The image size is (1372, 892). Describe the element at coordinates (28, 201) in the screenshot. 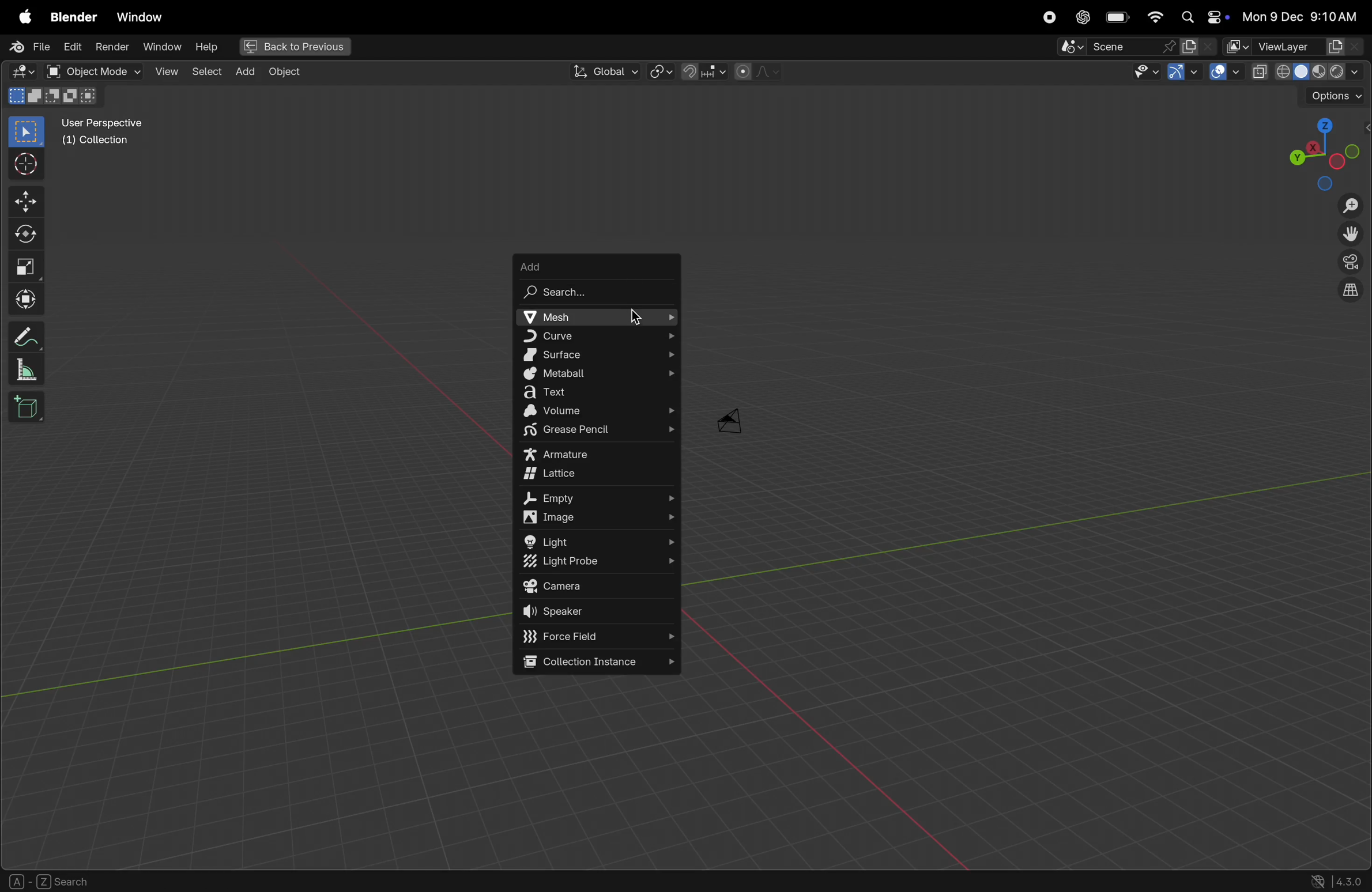

I see `move ` at that location.